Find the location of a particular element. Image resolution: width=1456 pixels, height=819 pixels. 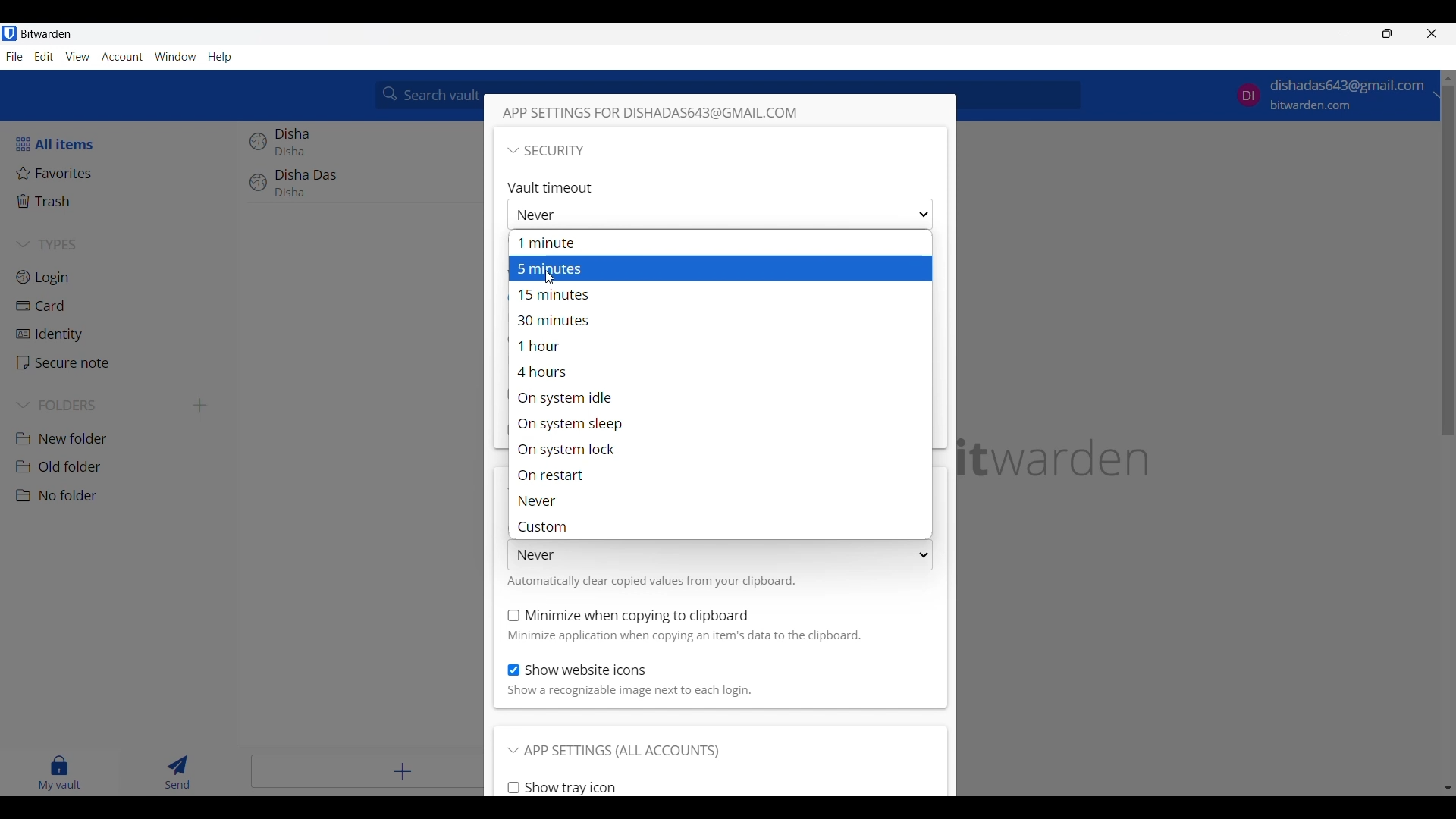

scrollbar is located at coordinates (1447, 262).